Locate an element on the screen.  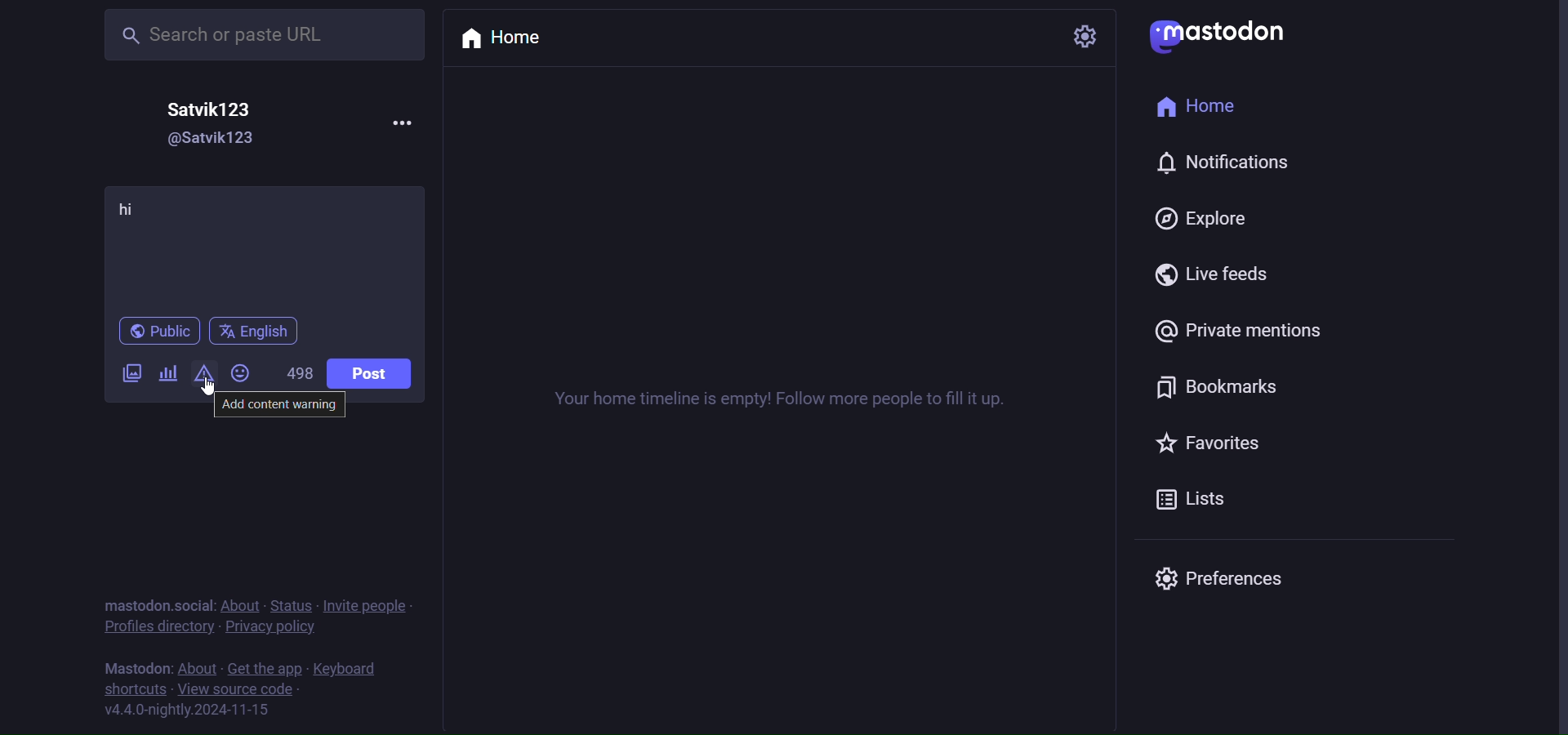
perfect directory is located at coordinates (155, 628).